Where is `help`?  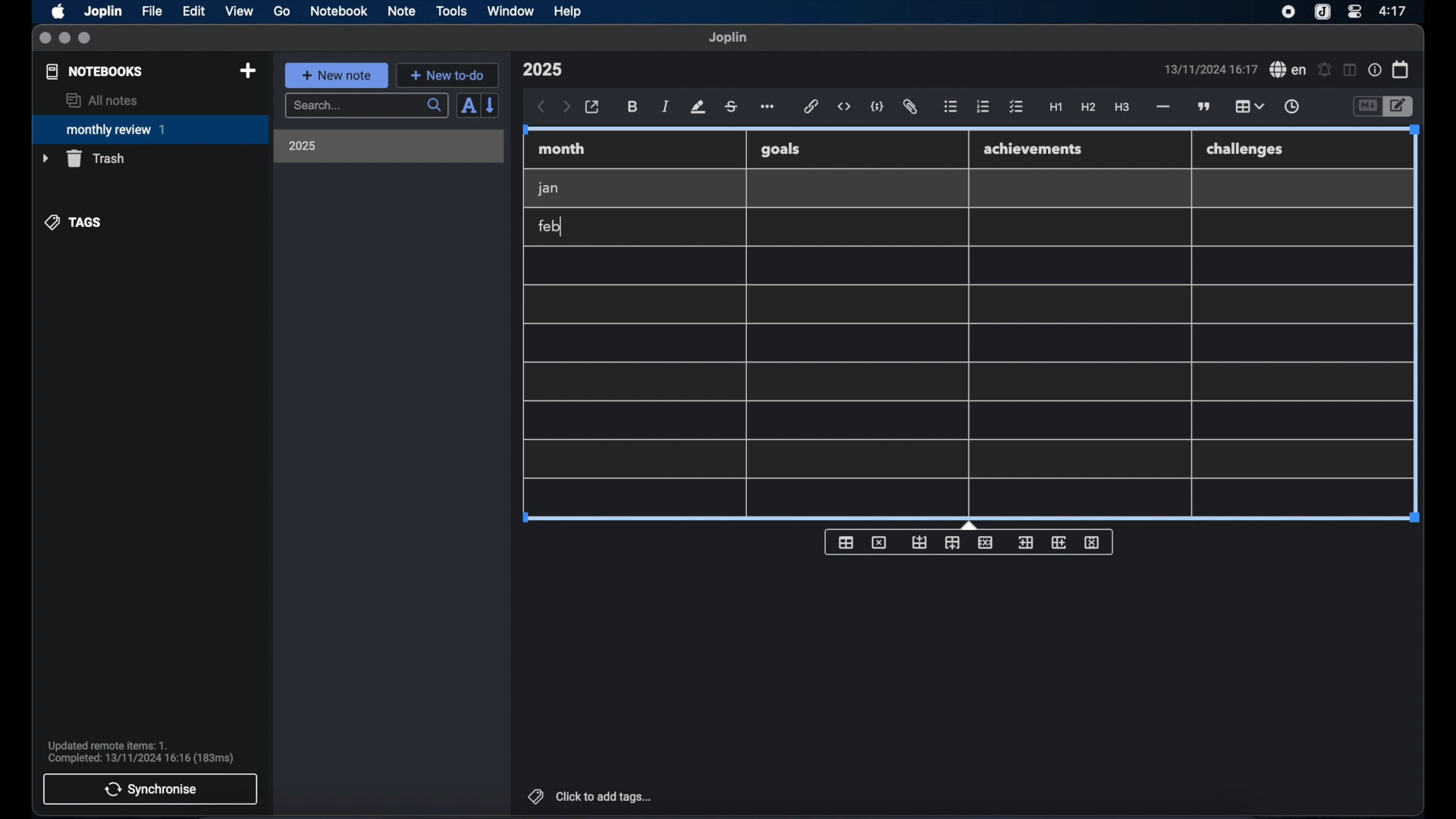 help is located at coordinates (569, 11).